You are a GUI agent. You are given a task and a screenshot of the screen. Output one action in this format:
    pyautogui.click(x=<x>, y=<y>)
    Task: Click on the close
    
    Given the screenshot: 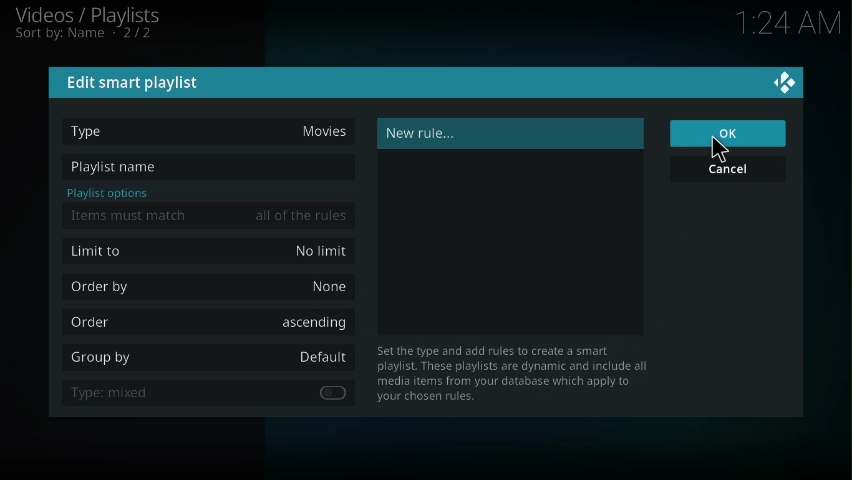 What is the action you would take?
    pyautogui.click(x=787, y=83)
    